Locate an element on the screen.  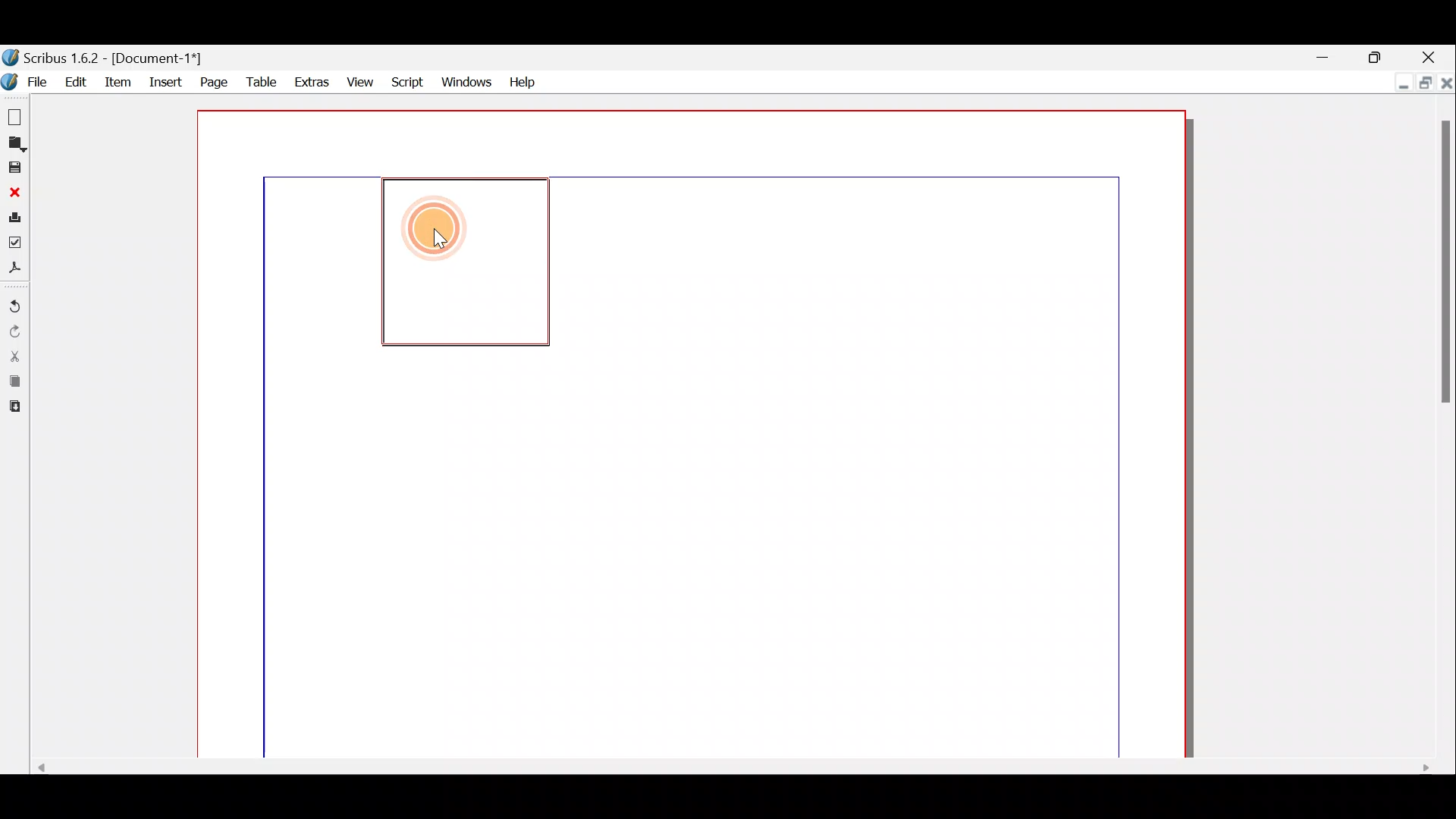
View is located at coordinates (360, 81).